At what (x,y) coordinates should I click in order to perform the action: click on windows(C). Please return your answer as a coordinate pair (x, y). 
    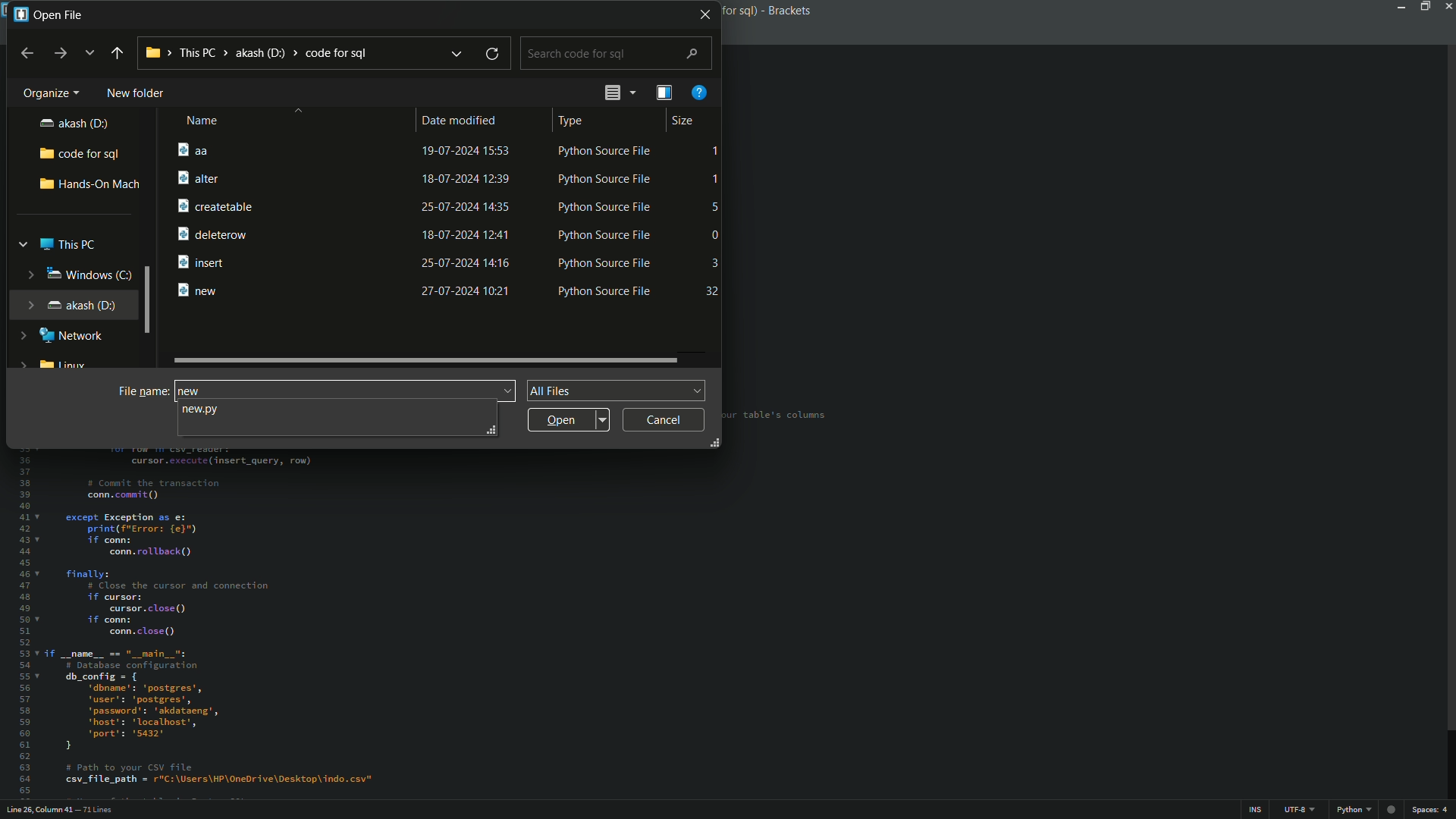
    Looking at the image, I should click on (77, 275).